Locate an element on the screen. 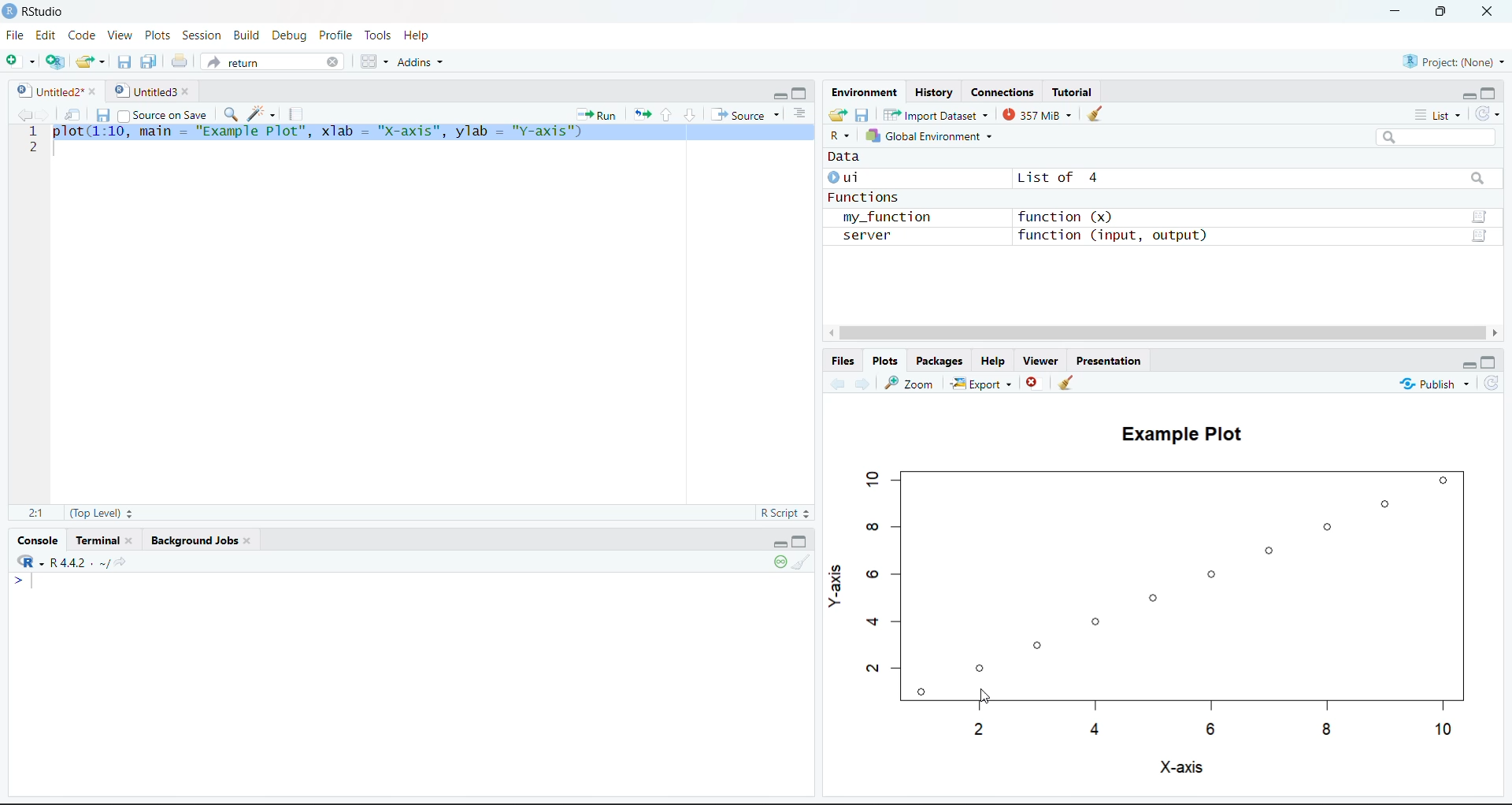 The image size is (1512, 805). Searchbar is located at coordinates (1477, 180).